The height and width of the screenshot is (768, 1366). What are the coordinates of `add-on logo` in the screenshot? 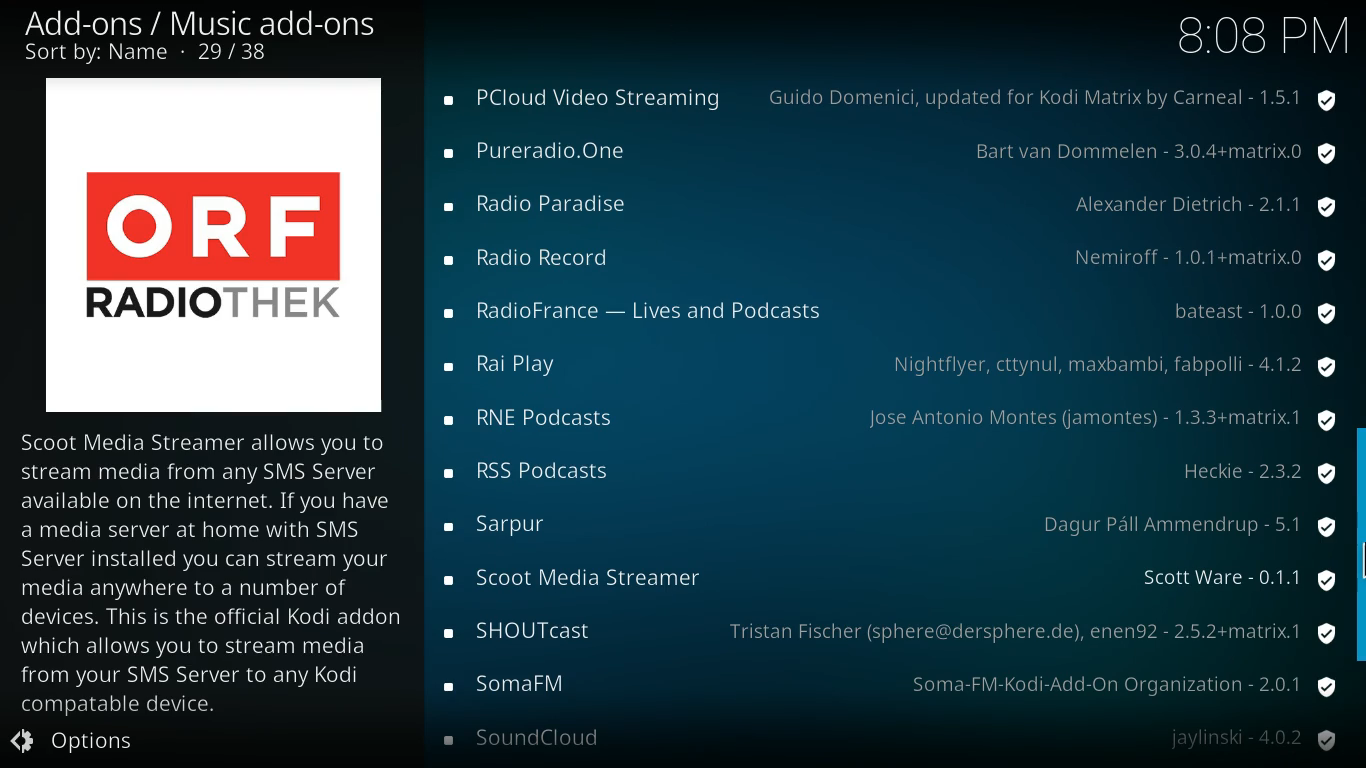 It's located at (206, 244).